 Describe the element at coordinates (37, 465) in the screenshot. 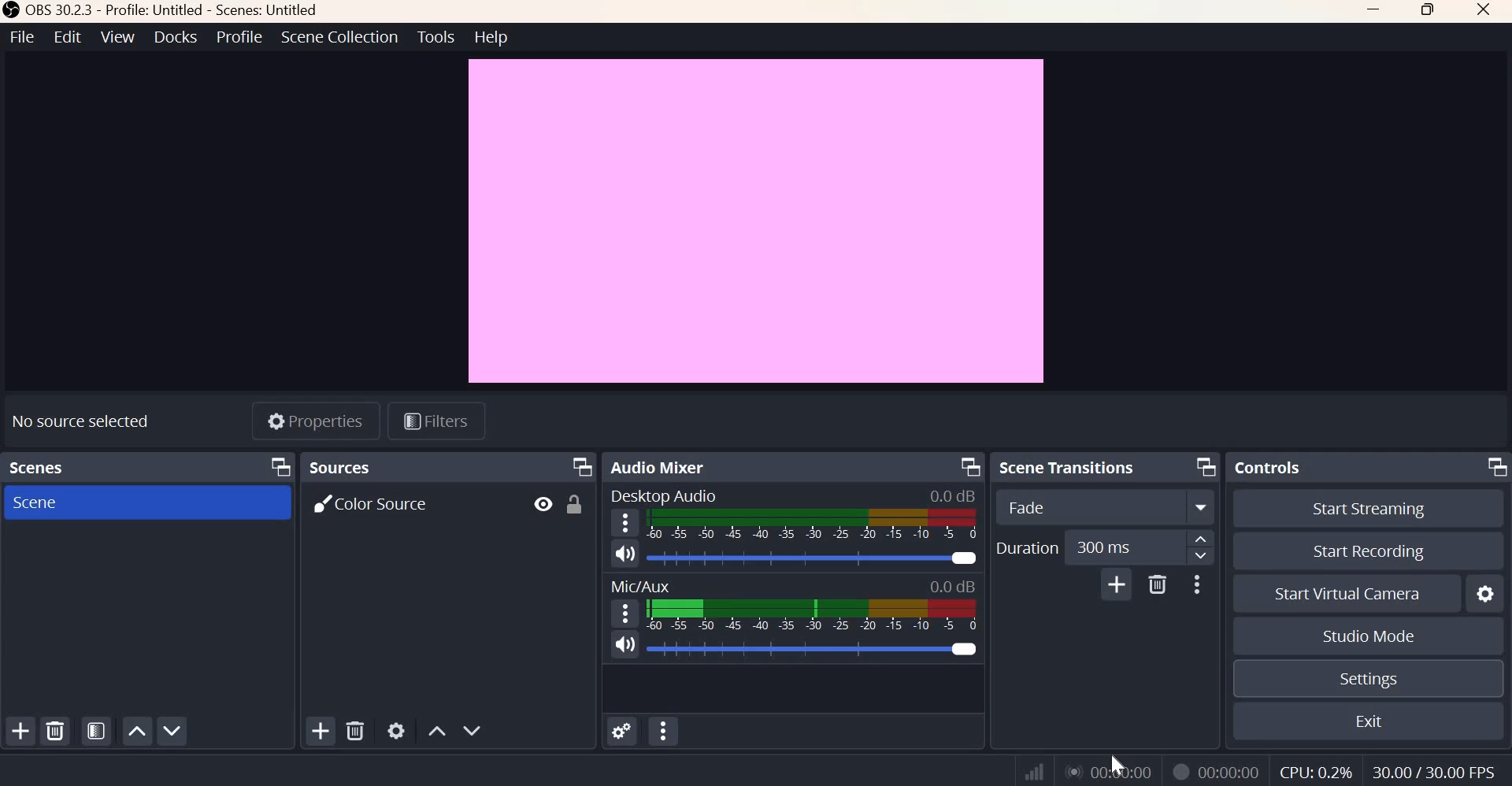

I see `Scenes` at that location.